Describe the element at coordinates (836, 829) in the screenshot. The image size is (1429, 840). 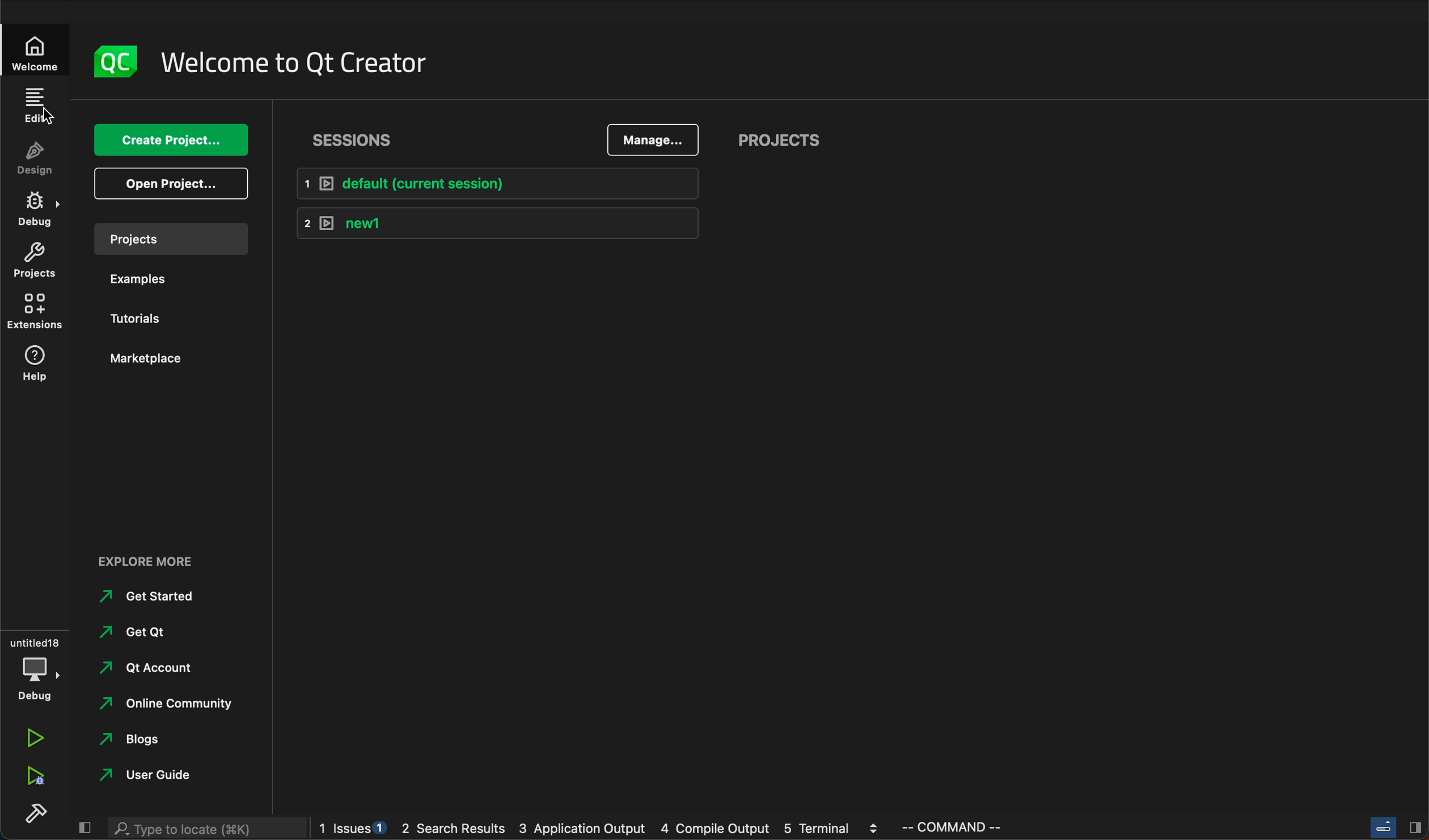
I see `terminal` at that location.